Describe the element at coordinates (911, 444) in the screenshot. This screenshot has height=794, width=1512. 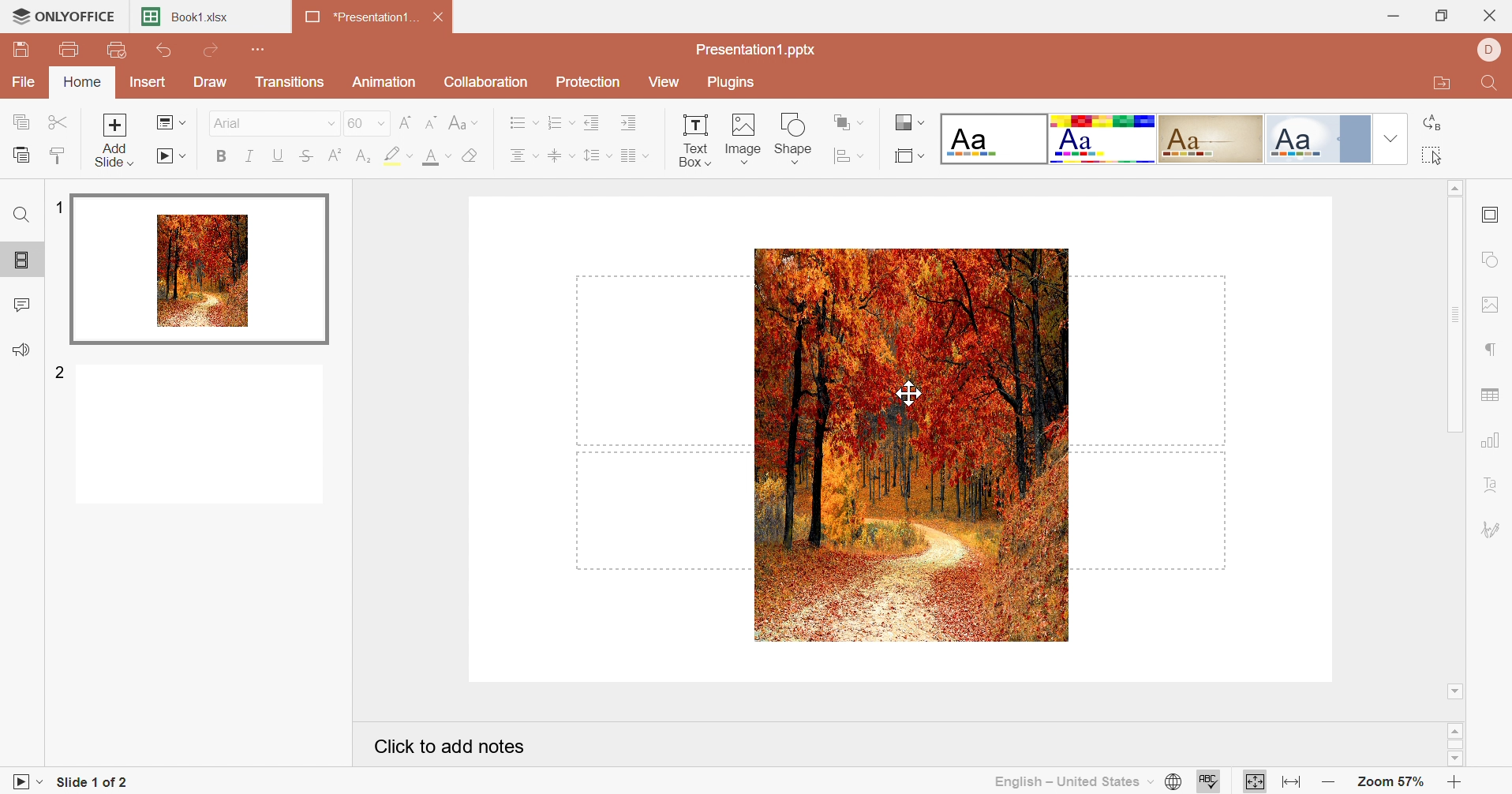
I see `Image` at that location.